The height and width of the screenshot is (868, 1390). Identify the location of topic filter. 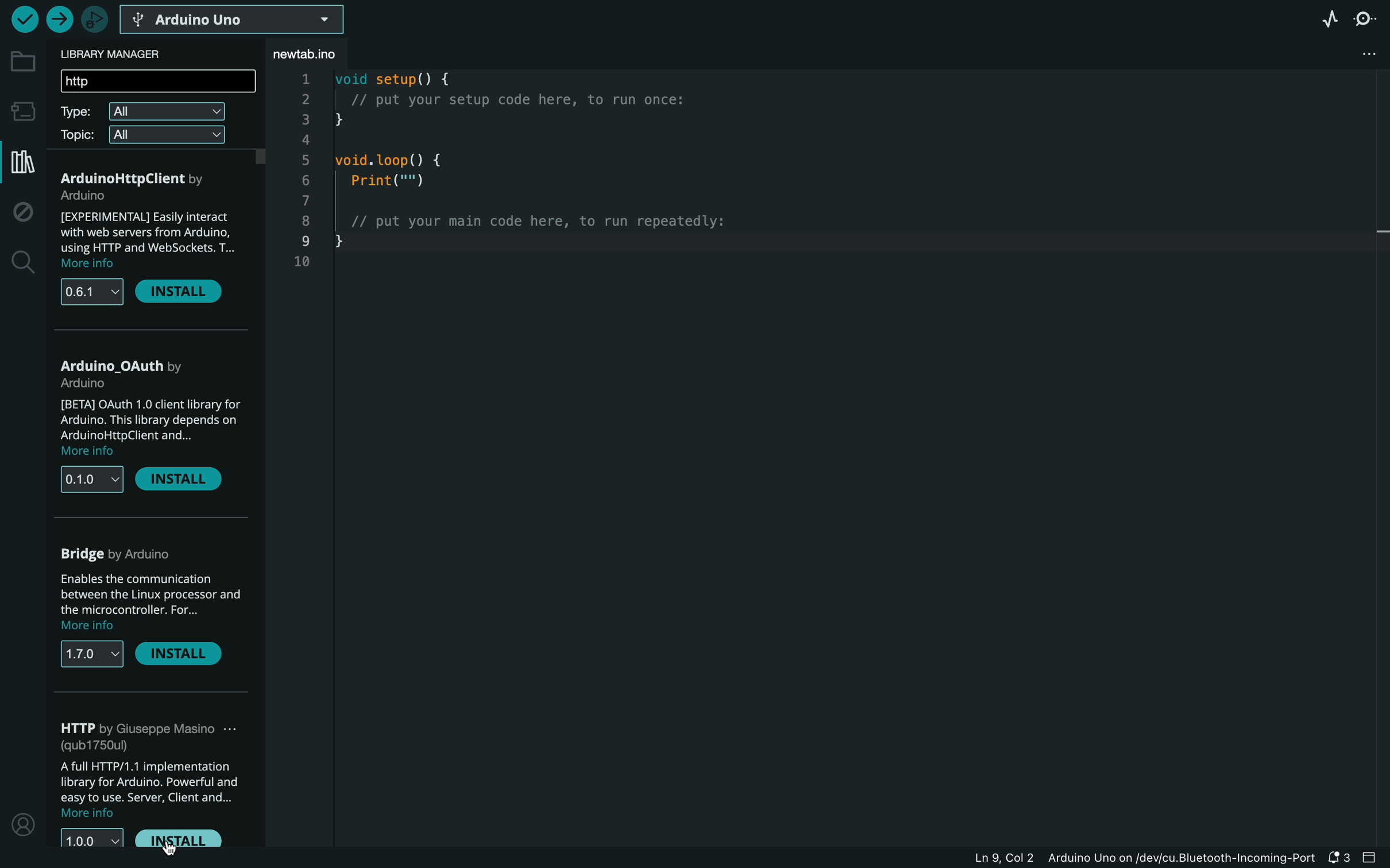
(142, 137).